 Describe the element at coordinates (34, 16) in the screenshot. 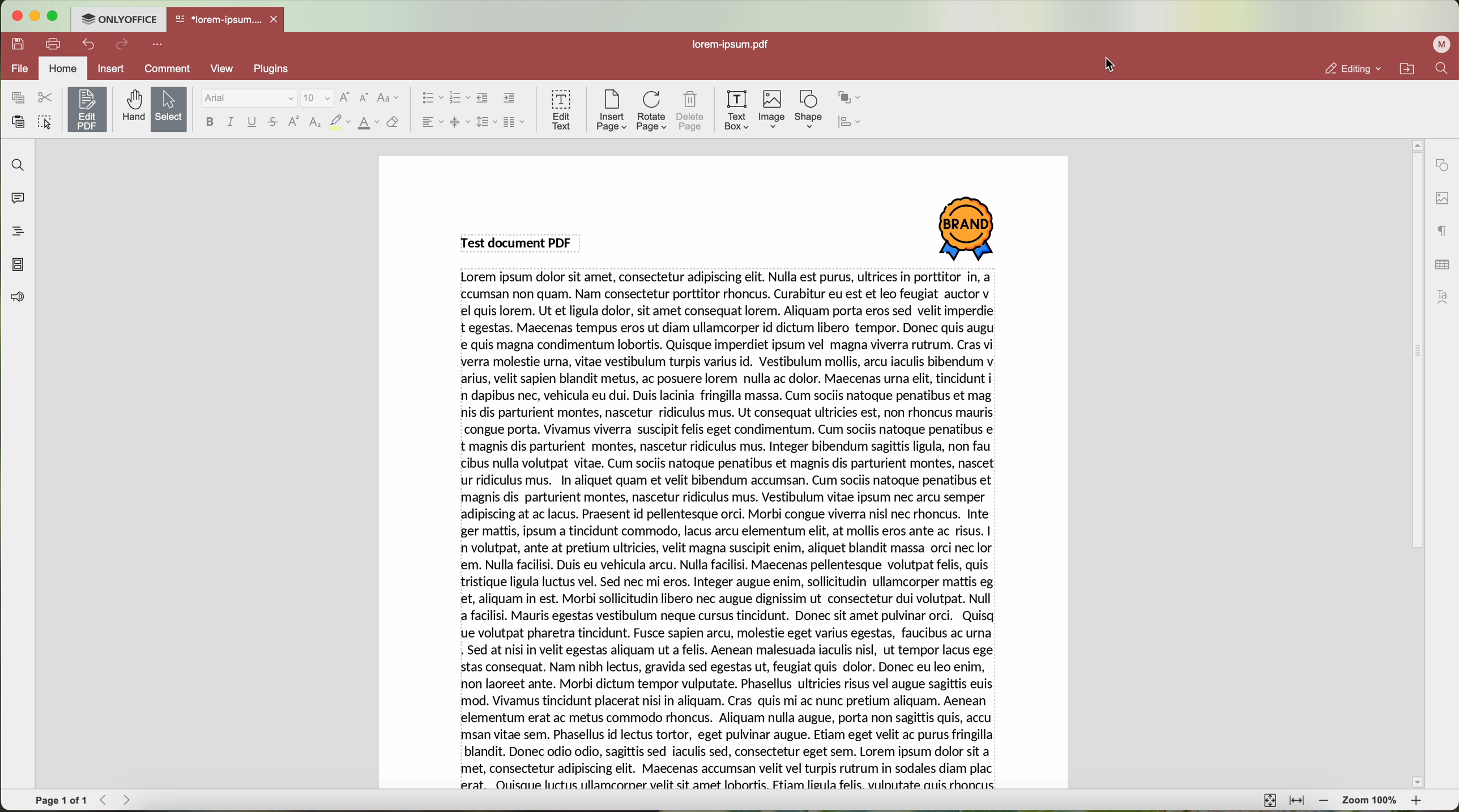

I see `minimize` at that location.